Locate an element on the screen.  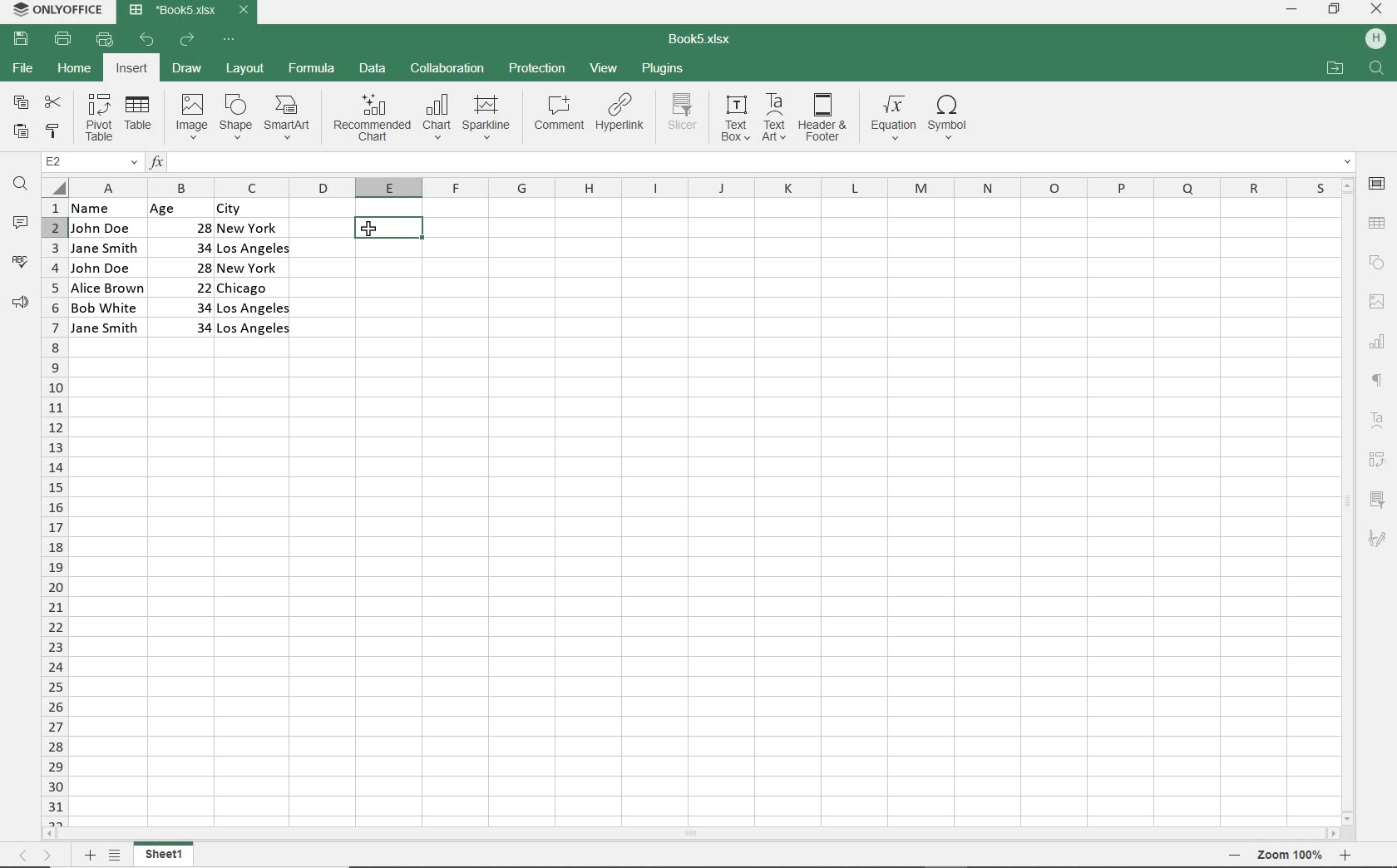
PLUGINS is located at coordinates (661, 67).